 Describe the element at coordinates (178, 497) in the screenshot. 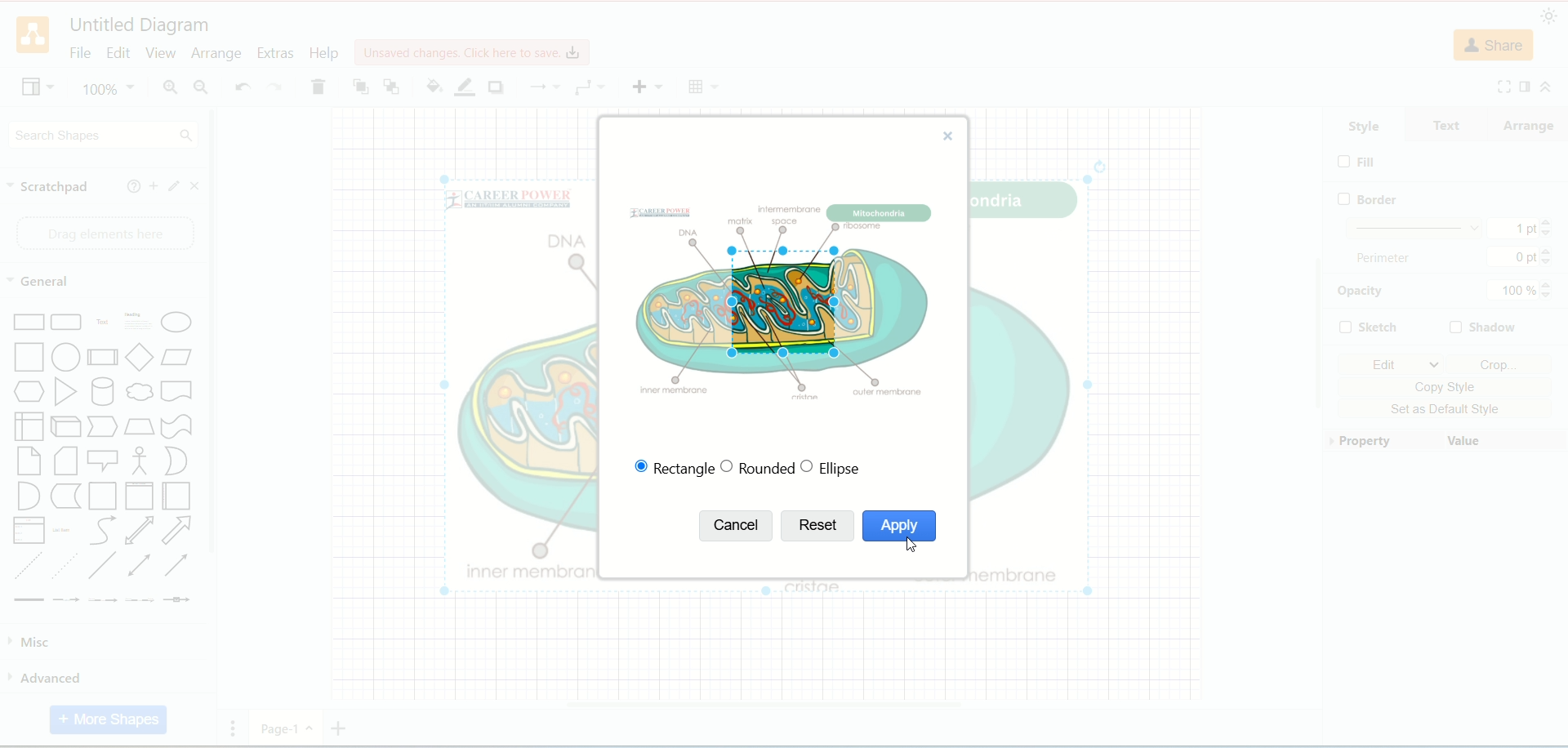

I see `Horizontal Container` at that location.